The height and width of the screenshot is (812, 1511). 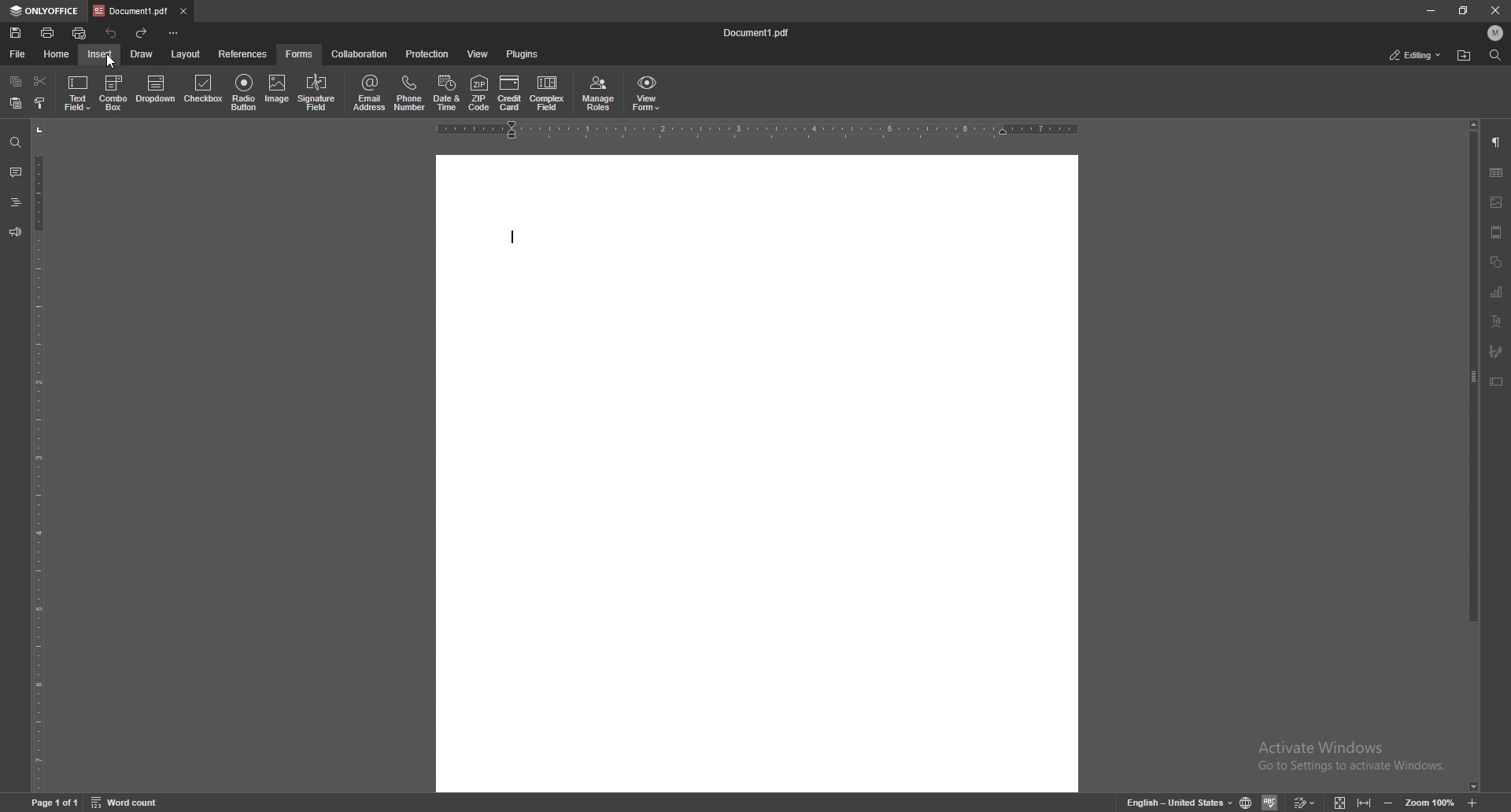 What do you see at coordinates (1465, 55) in the screenshot?
I see `find location` at bounding box center [1465, 55].